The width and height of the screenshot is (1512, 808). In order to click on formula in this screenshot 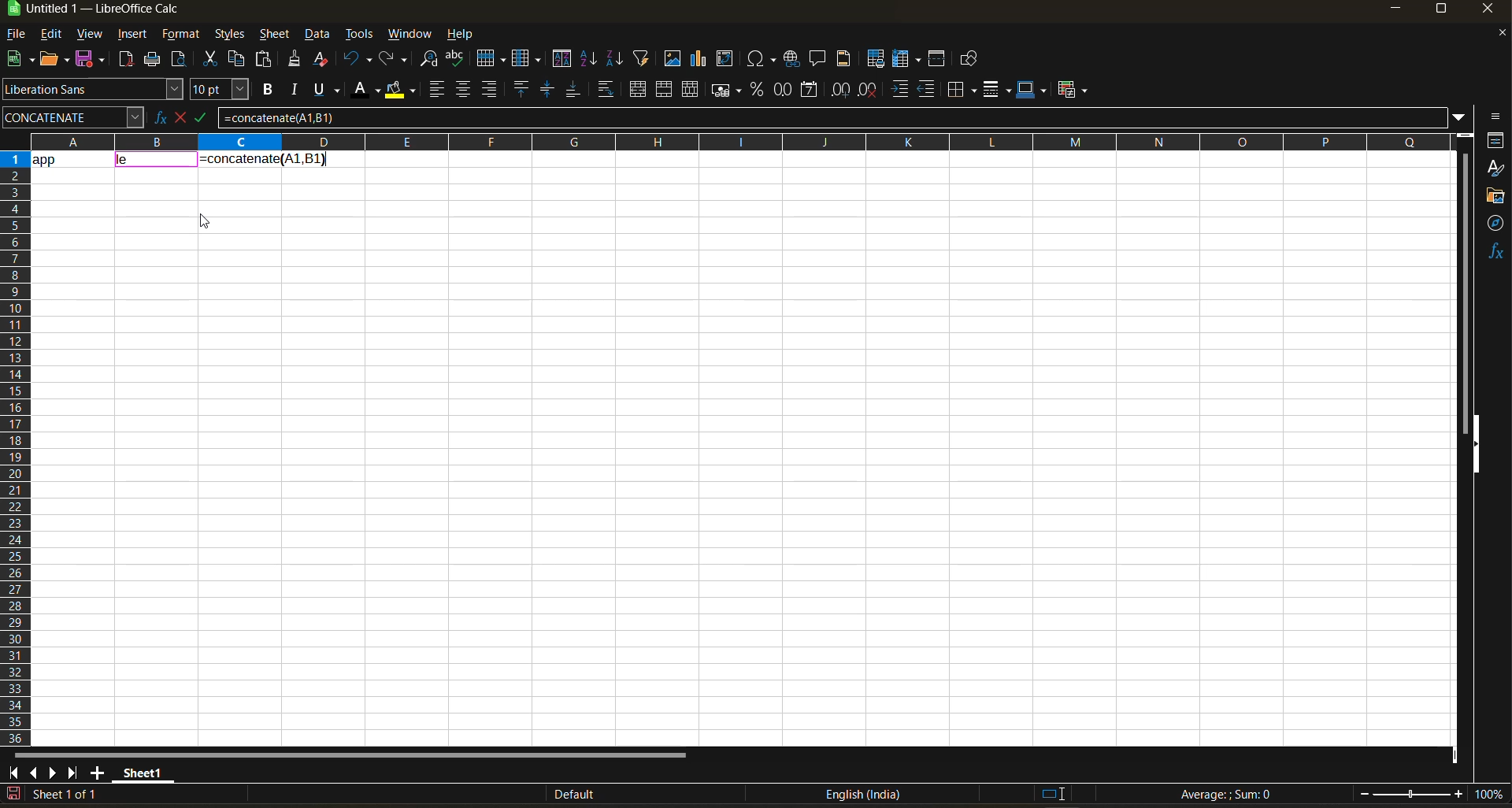, I will do `click(1231, 796)`.